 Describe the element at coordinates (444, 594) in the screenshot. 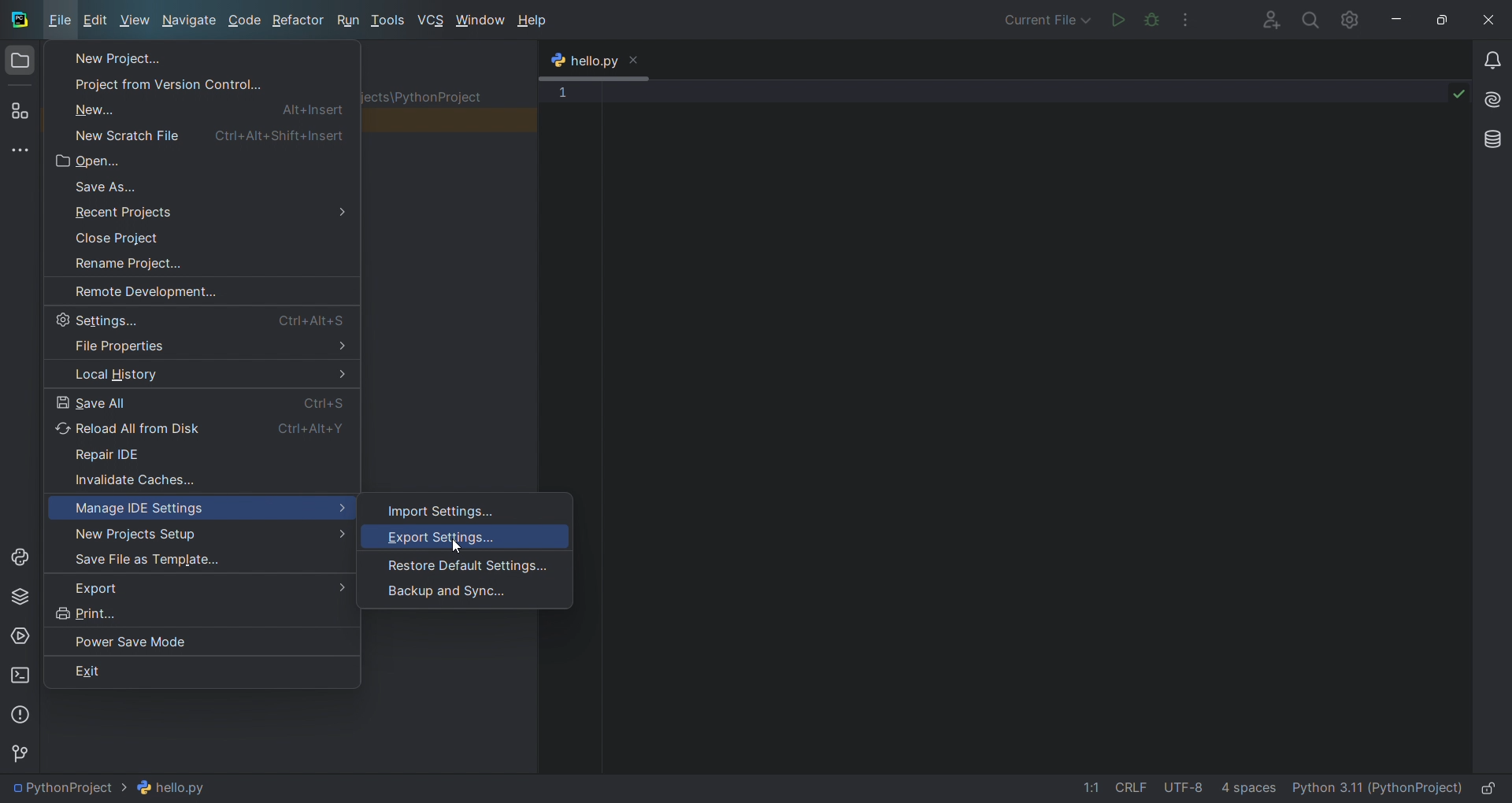

I see `backup and sync` at that location.